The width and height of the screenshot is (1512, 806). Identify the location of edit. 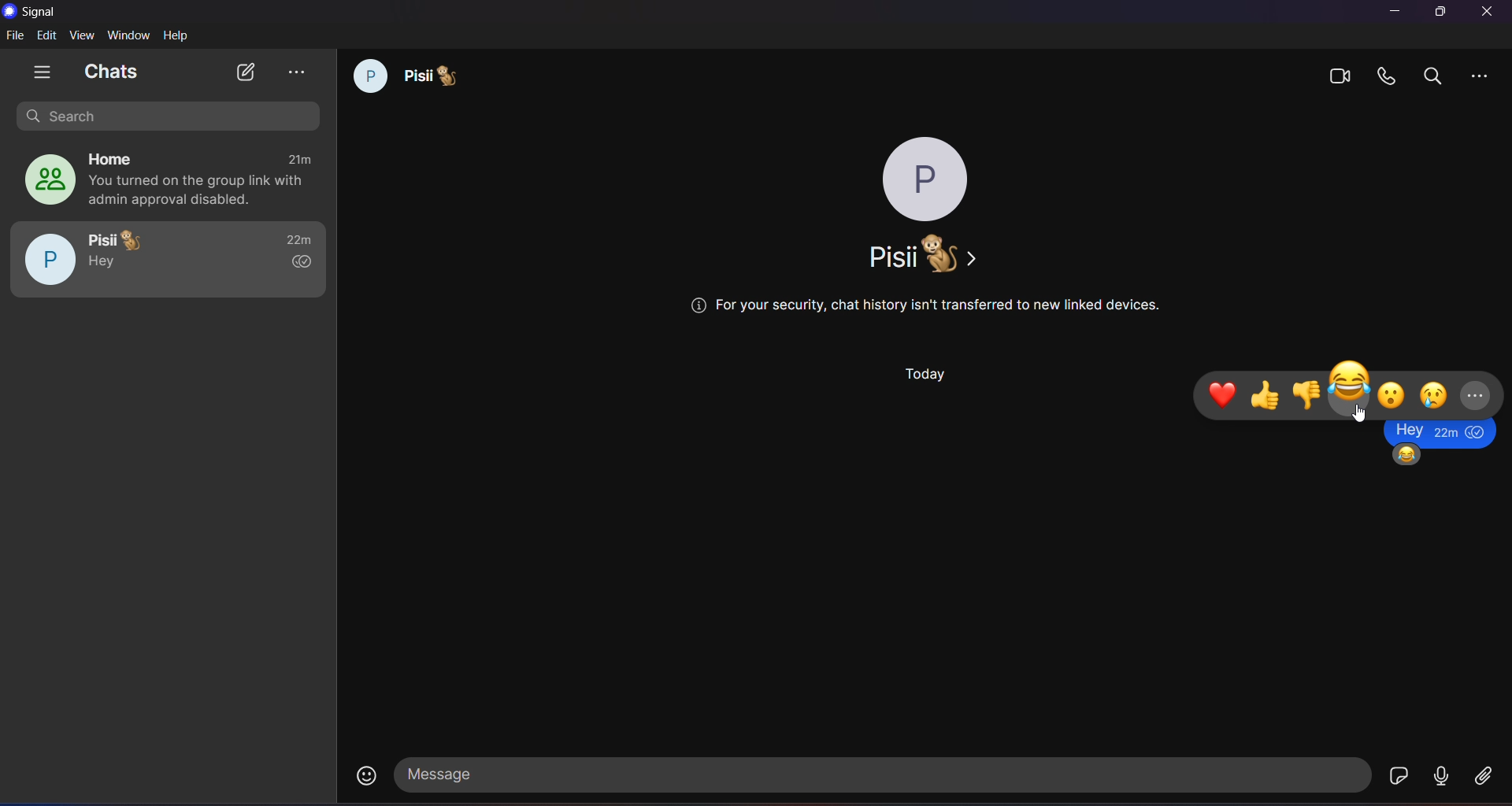
(46, 36).